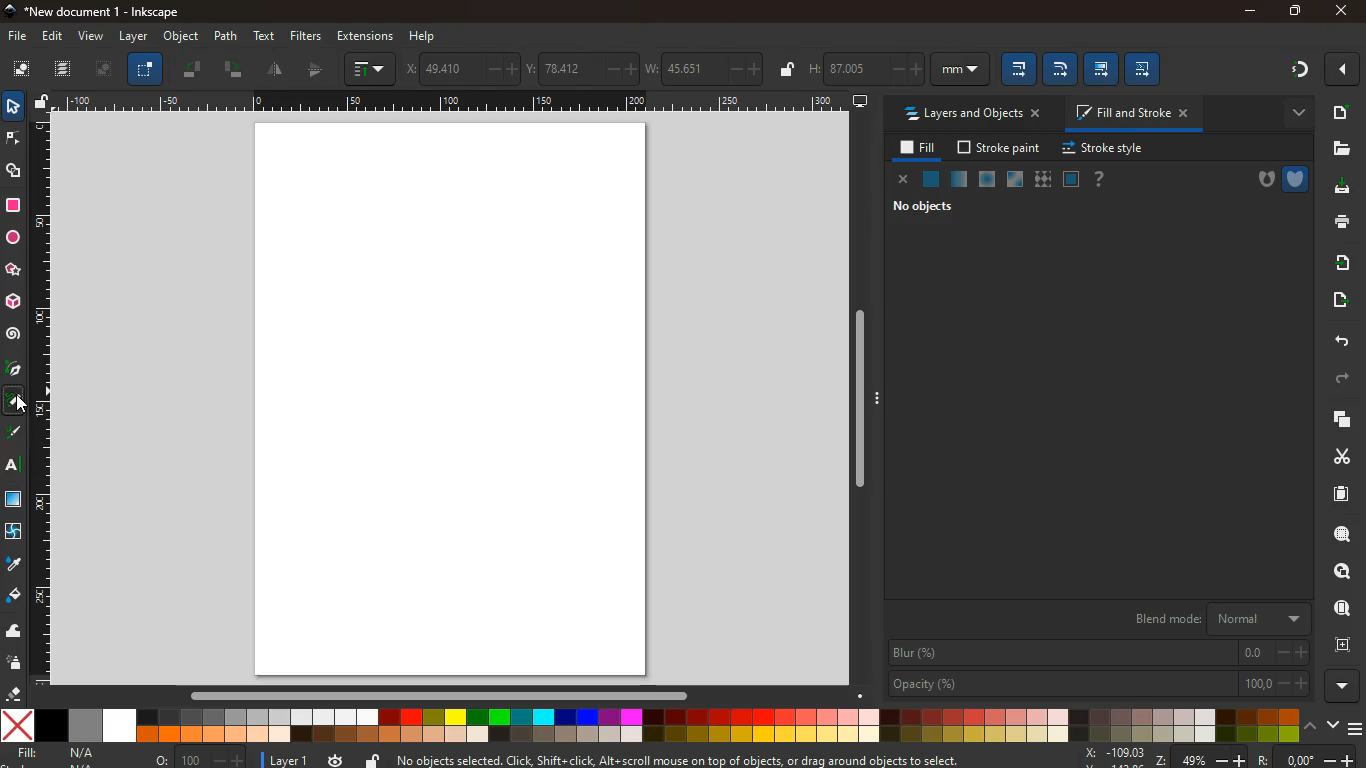 This screenshot has height=768, width=1366. Describe the element at coordinates (54, 36) in the screenshot. I see `edit` at that location.